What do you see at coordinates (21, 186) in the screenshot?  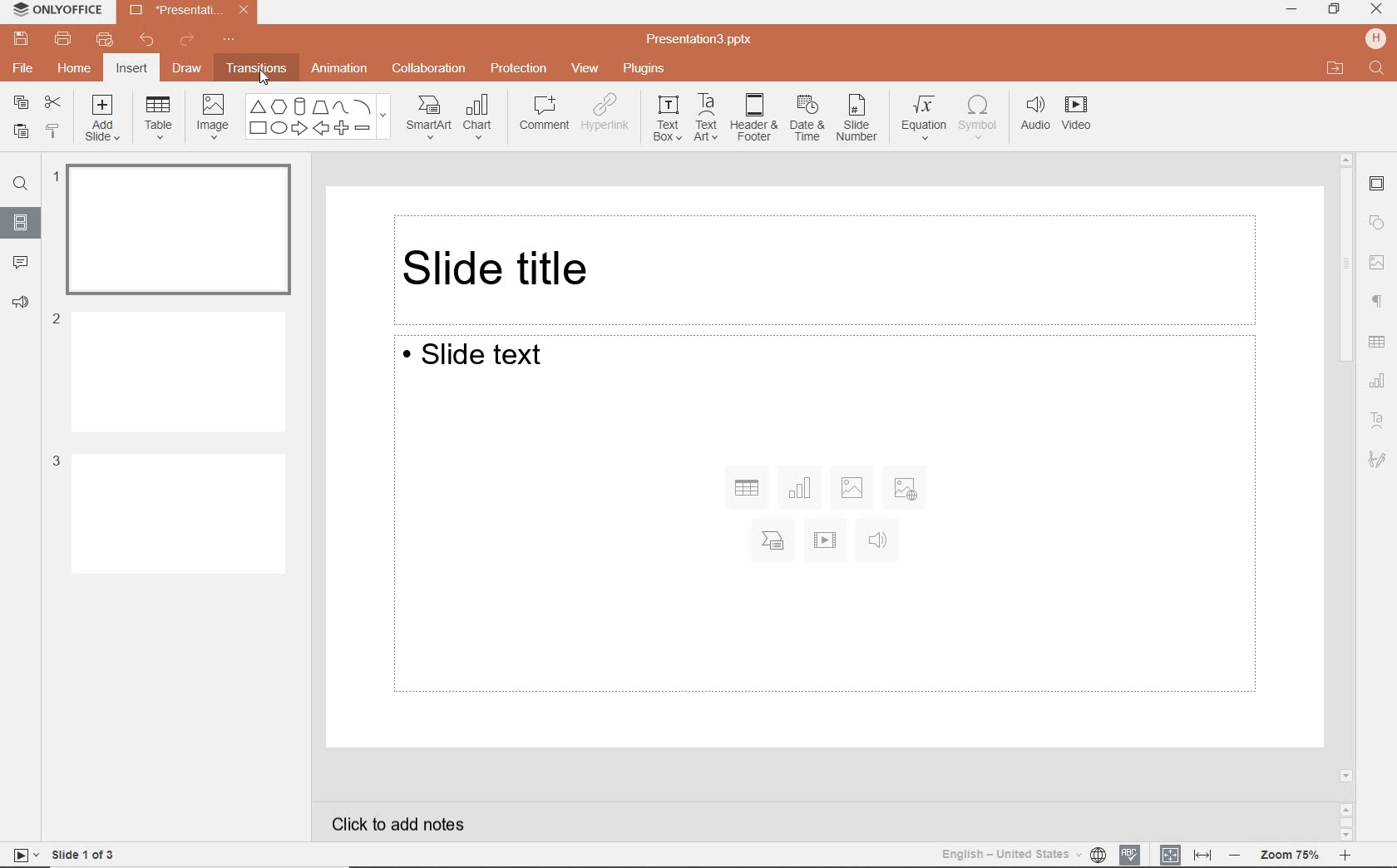 I see `find` at bounding box center [21, 186].